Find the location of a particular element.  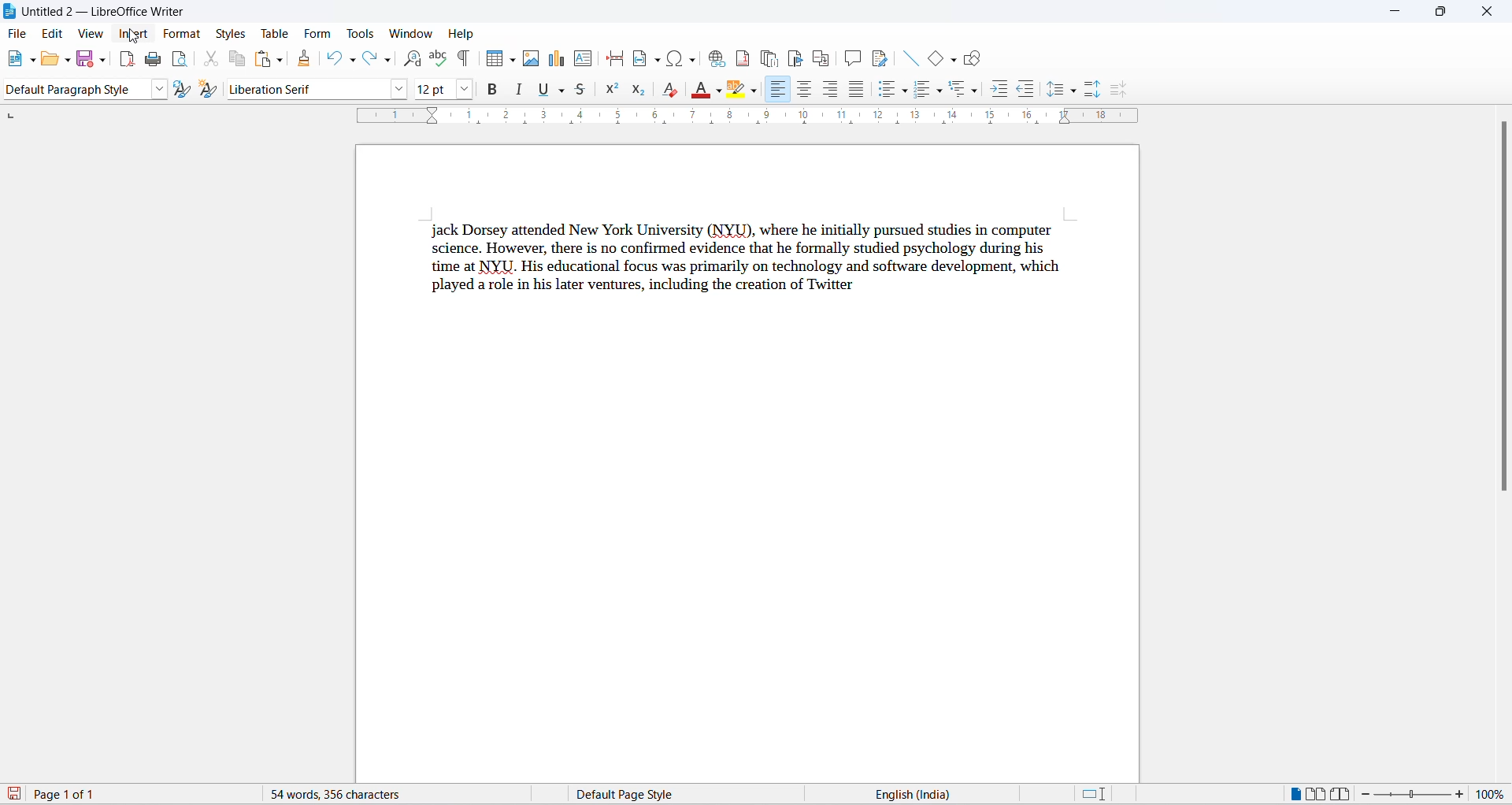

file is located at coordinates (20, 35).